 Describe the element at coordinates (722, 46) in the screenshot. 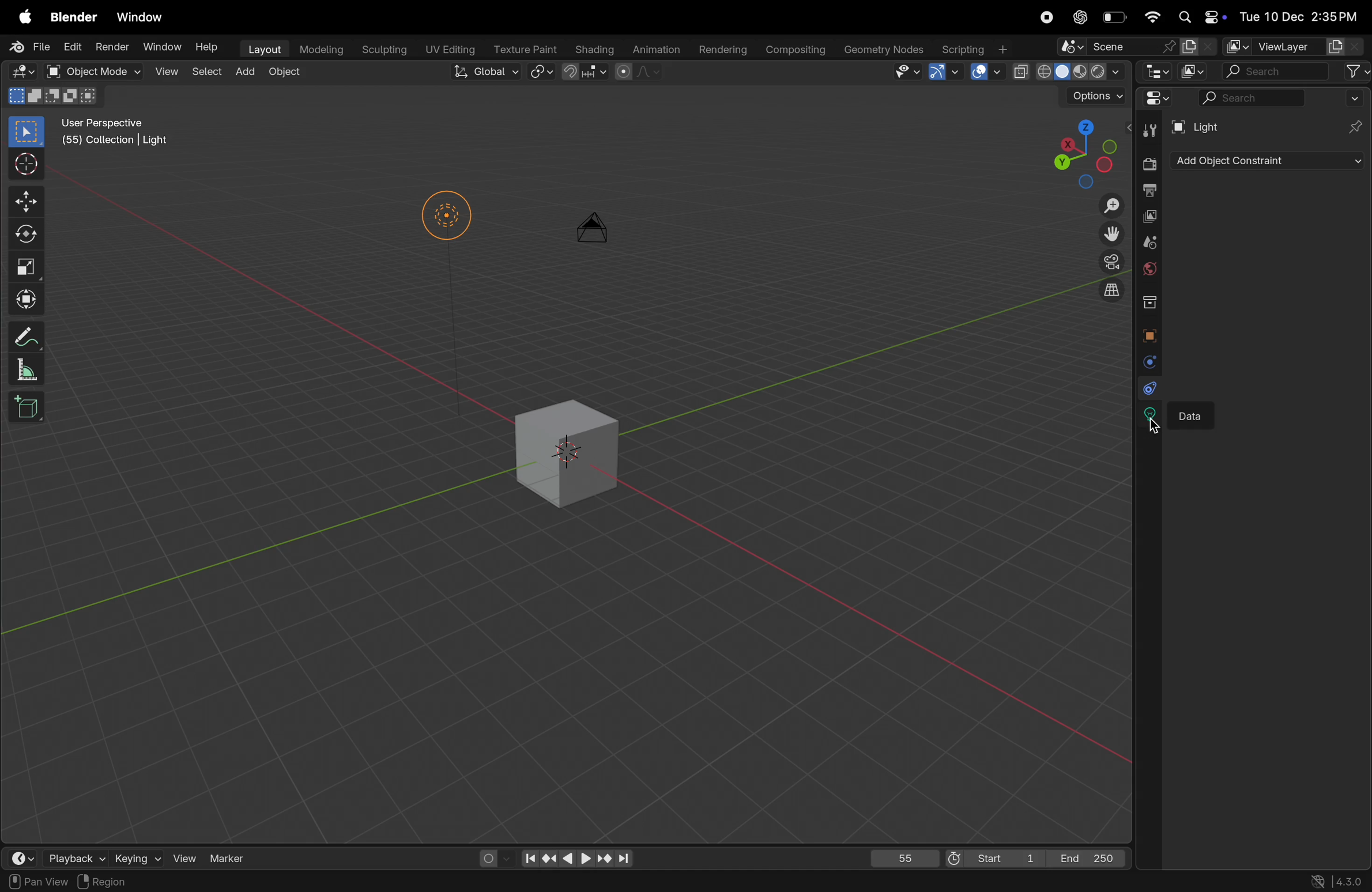

I see `rendering` at that location.